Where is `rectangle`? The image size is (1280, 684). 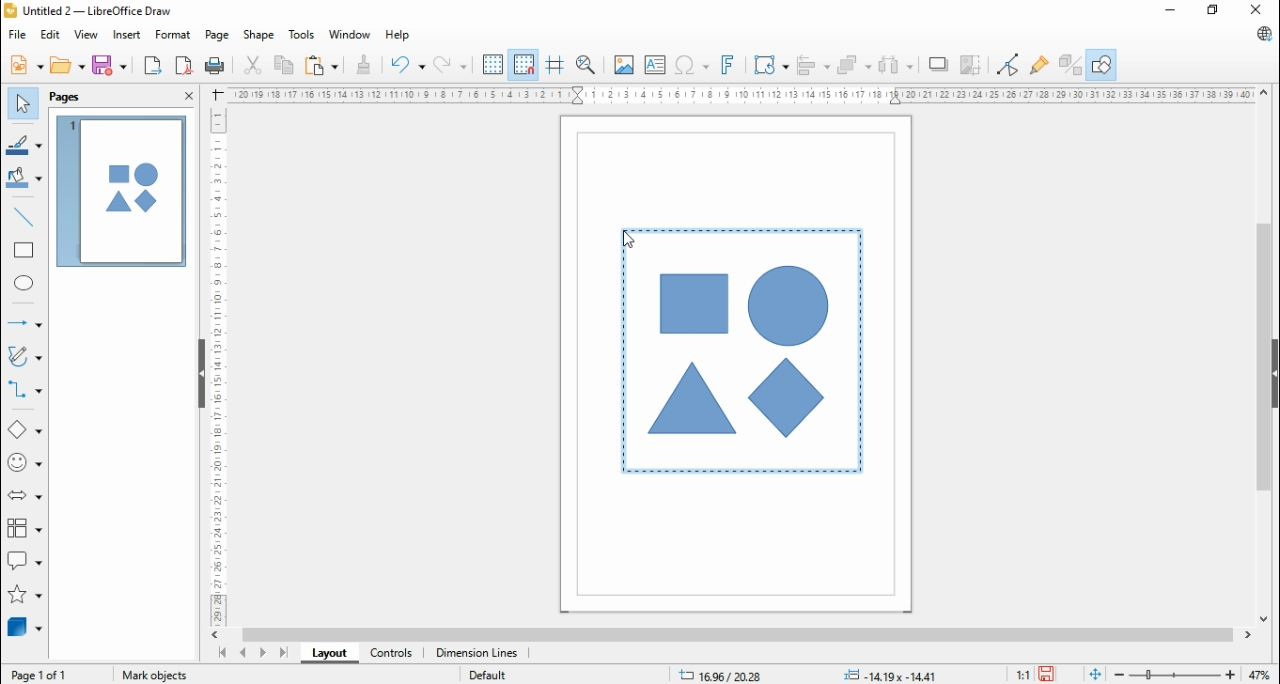
rectangle is located at coordinates (23, 250).